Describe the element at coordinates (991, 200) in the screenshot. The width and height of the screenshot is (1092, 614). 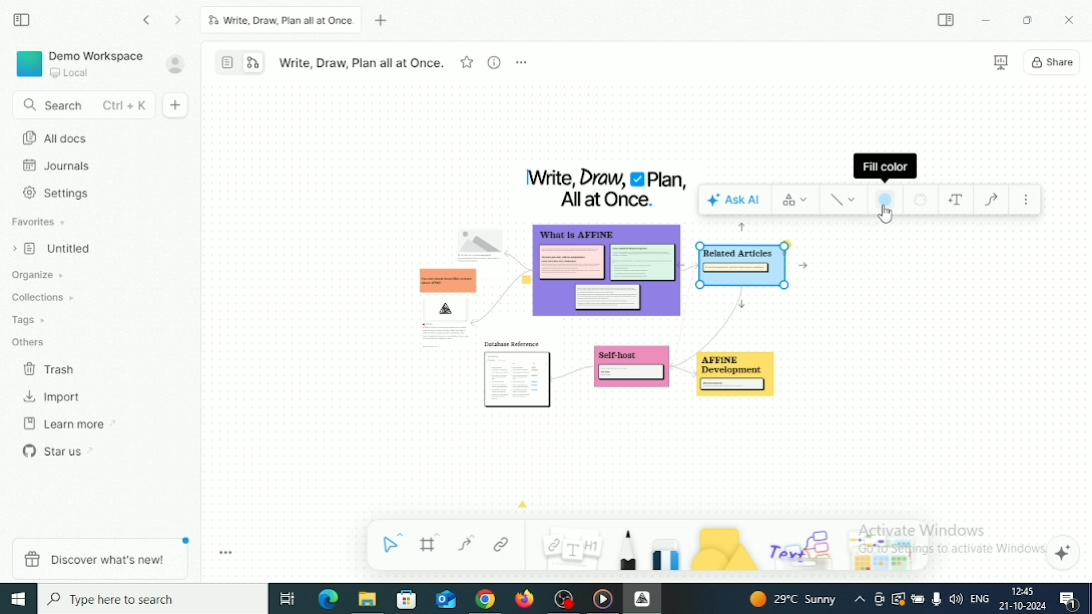
I see `Draw connector` at that location.